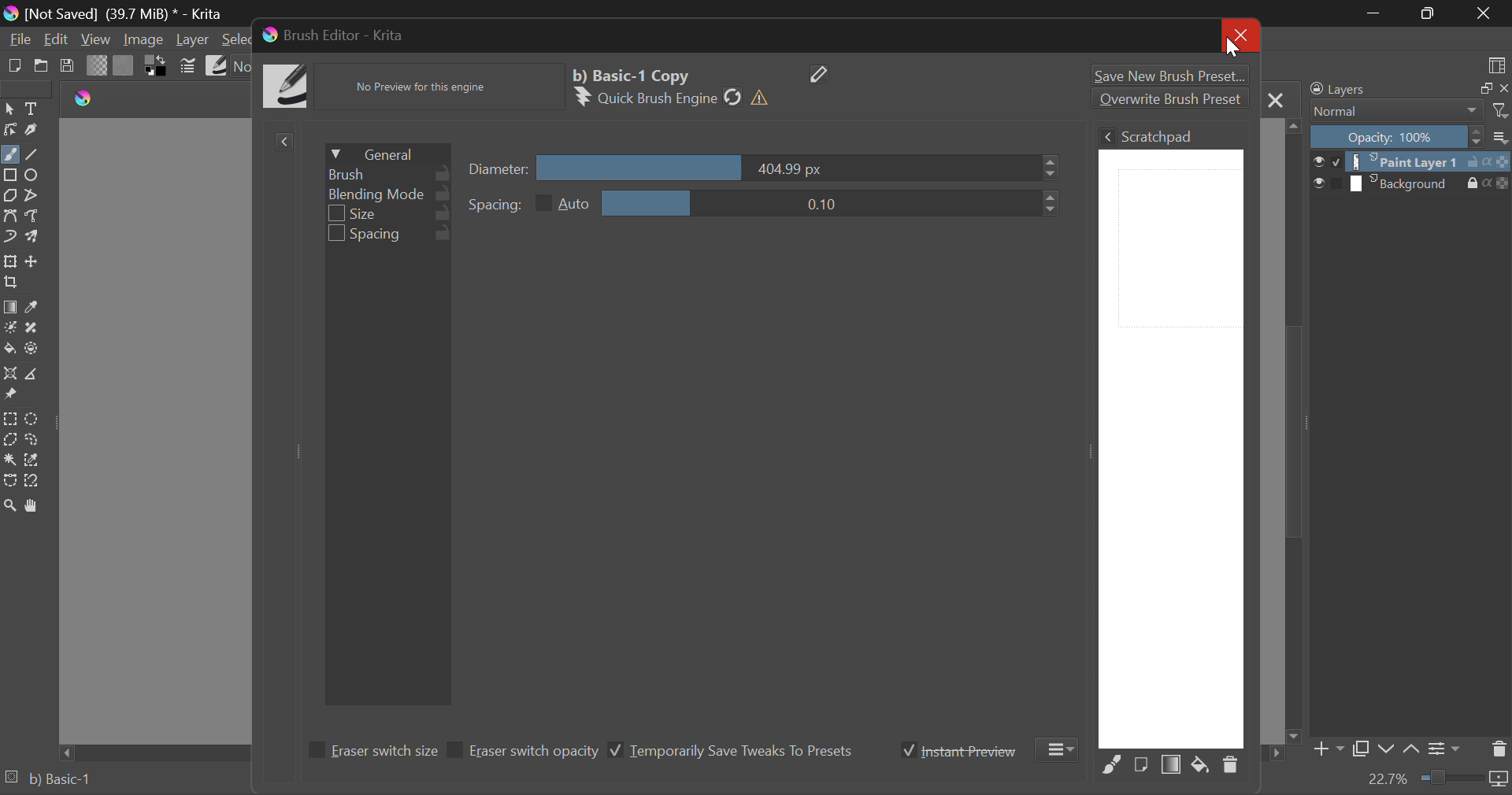 This screenshot has width=1512, height=795. Describe the element at coordinates (30, 129) in the screenshot. I see `Calligraphic Line` at that location.